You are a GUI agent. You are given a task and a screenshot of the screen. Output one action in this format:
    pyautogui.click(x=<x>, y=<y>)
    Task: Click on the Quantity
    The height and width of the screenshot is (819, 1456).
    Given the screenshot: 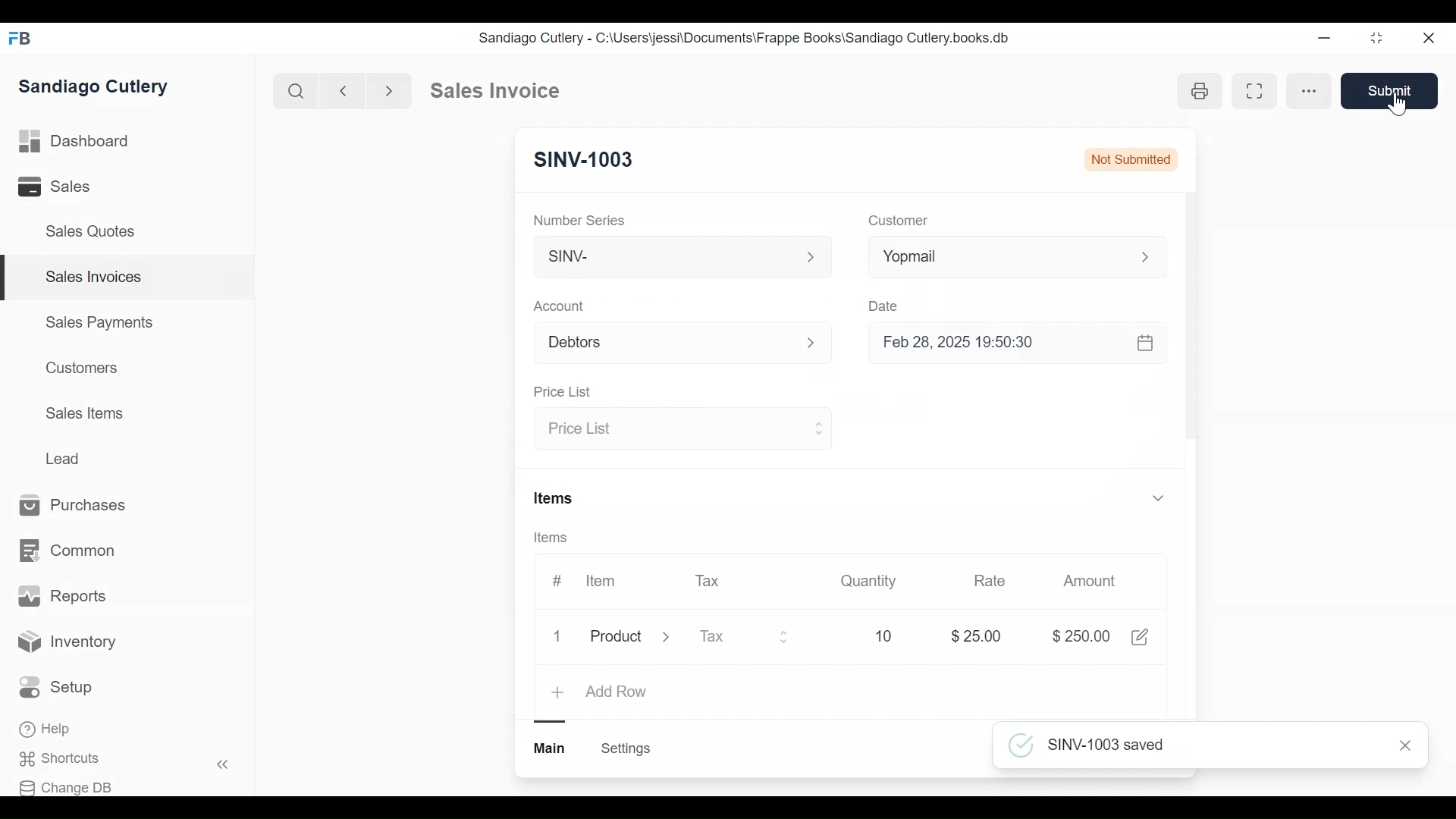 What is the action you would take?
    pyautogui.click(x=870, y=581)
    